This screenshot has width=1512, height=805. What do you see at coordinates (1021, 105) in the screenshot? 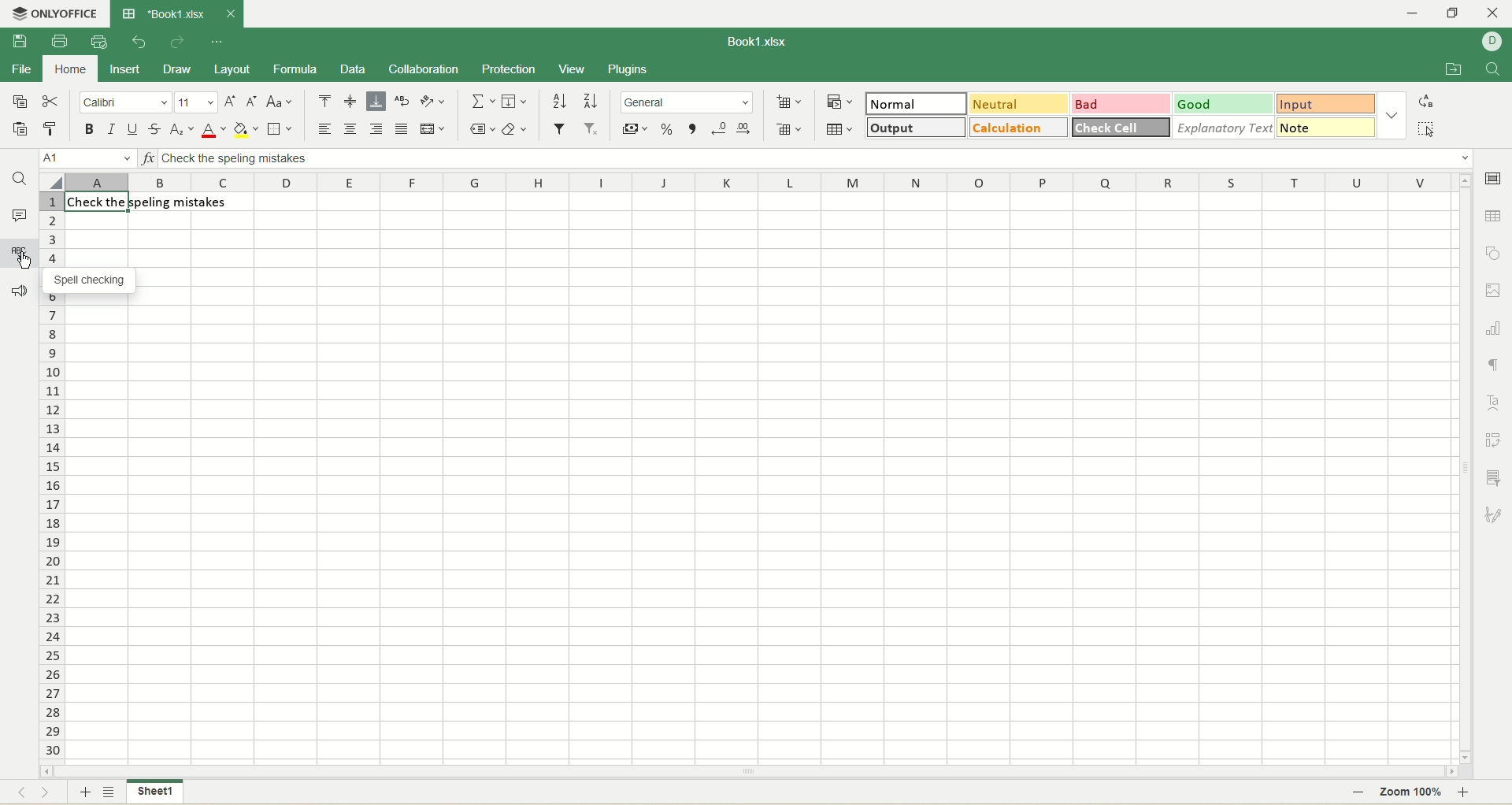
I see `neutral` at bounding box center [1021, 105].